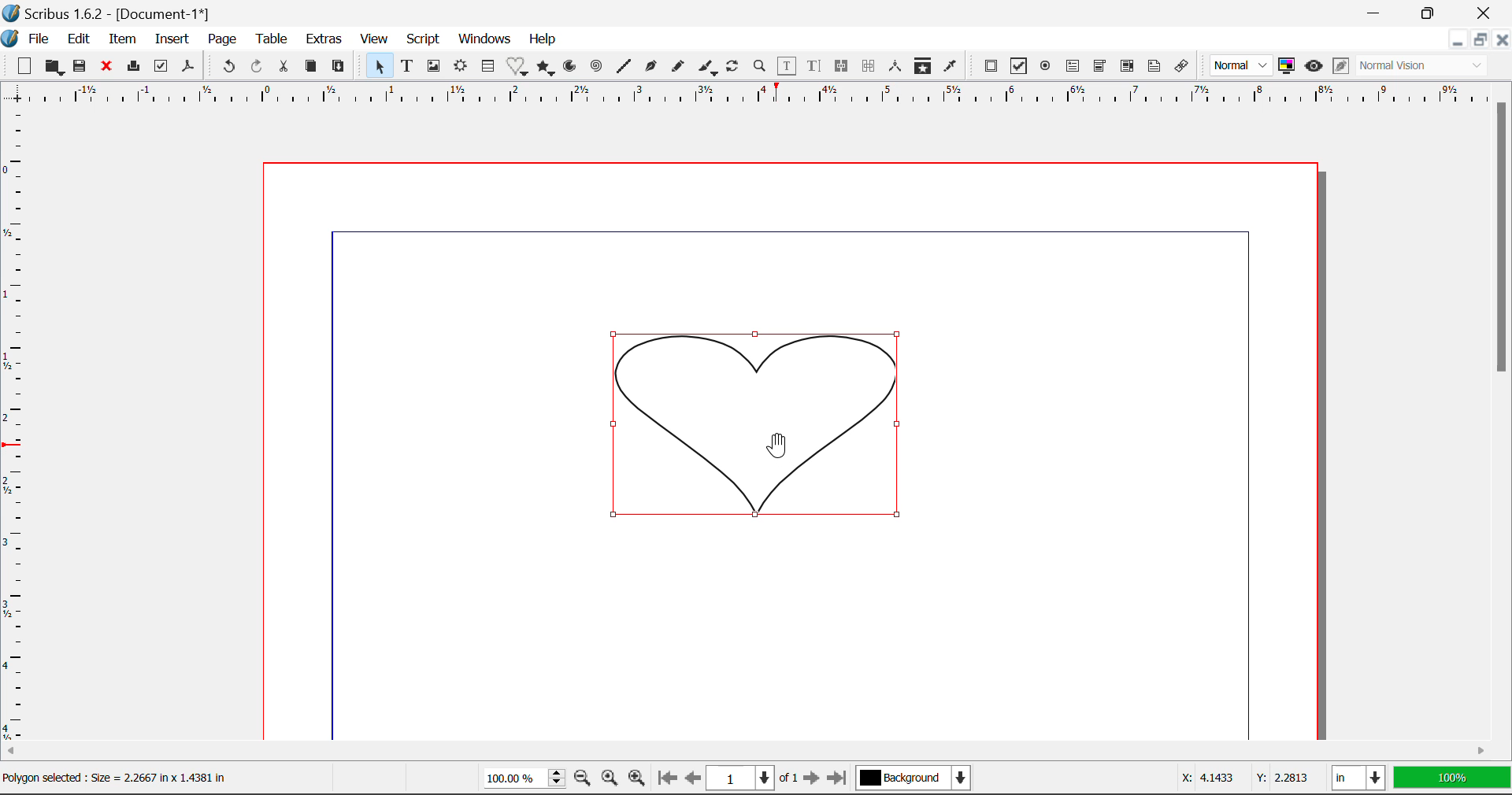  I want to click on Copy Item Properties, so click(926, 68).